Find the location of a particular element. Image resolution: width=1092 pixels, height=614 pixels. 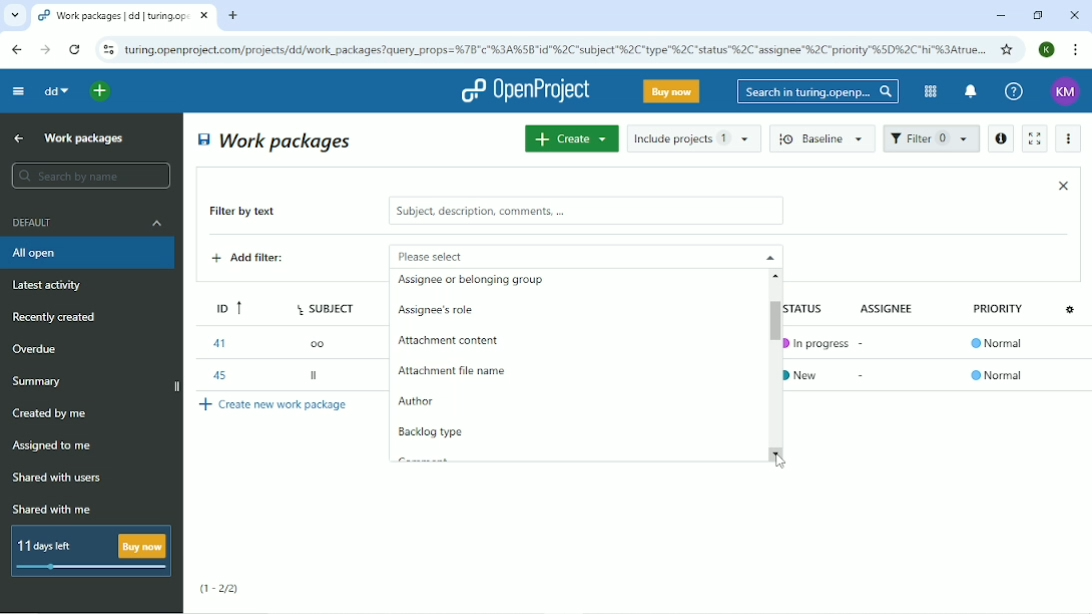

scroll up is located at coordinates (779, 275).